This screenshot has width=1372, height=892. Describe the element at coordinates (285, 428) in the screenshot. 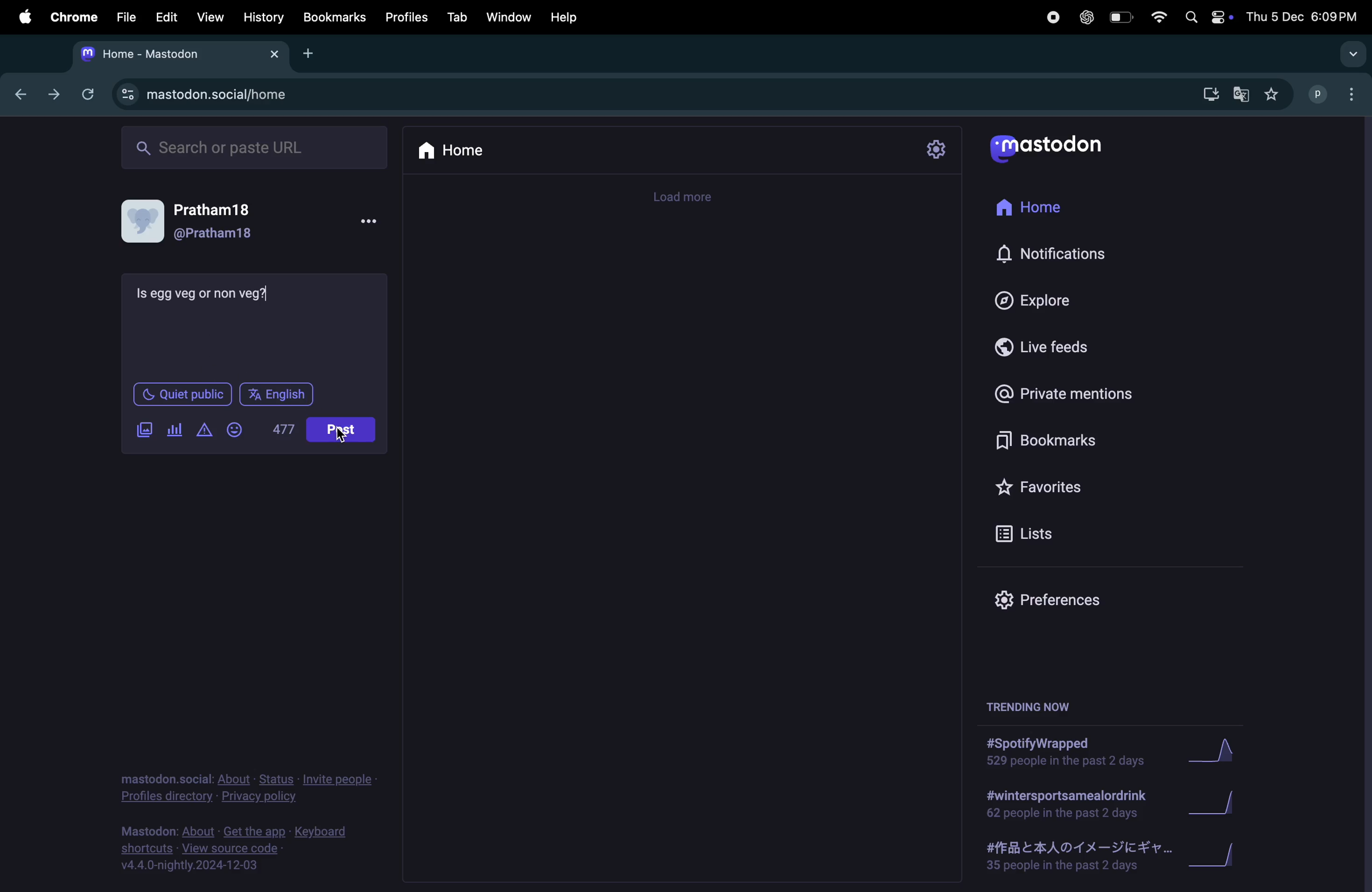

I see `499` at that location.